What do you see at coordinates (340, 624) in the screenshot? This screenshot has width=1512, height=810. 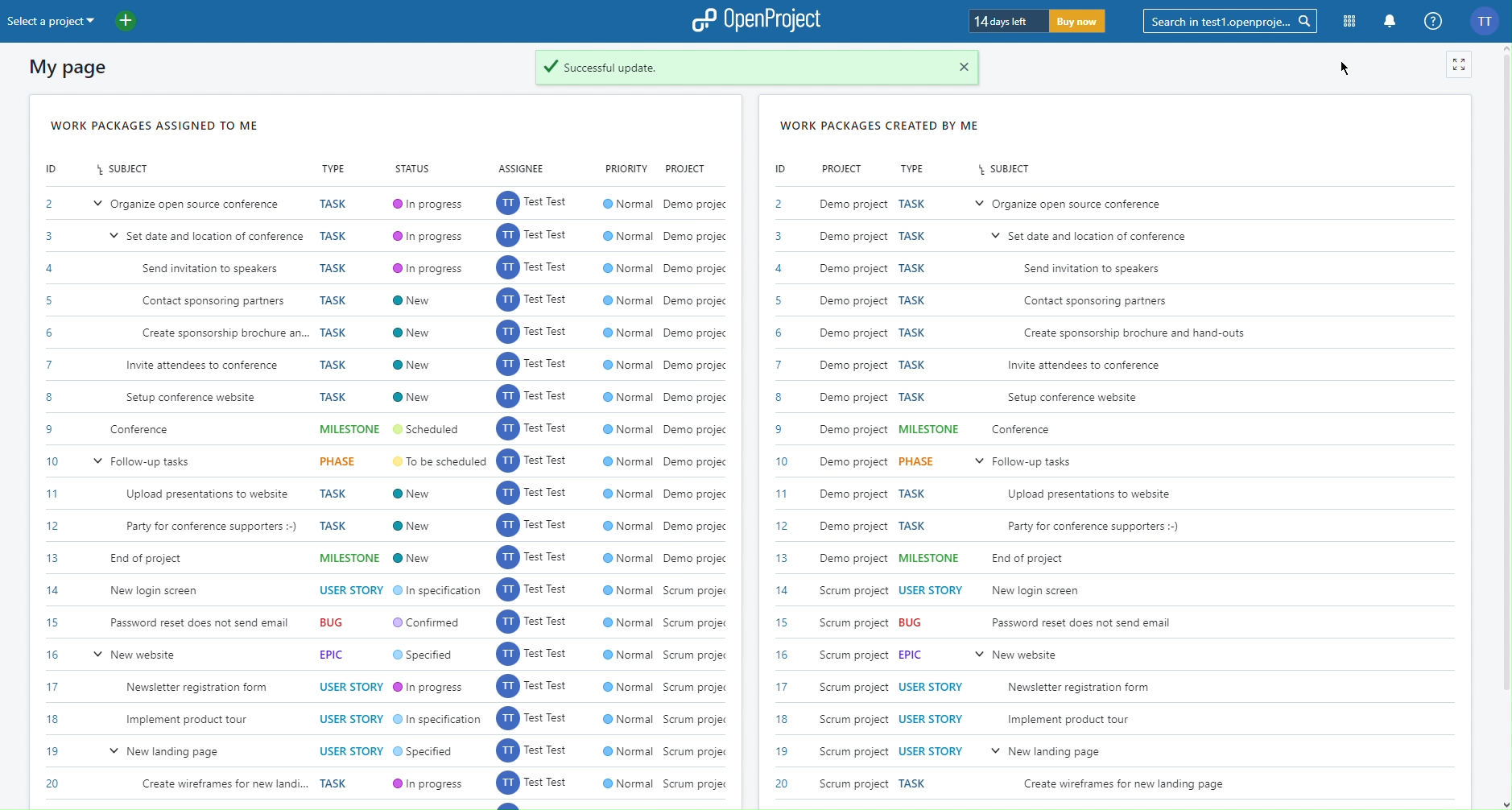 I see `Bug` at bounding box center [340, 624].